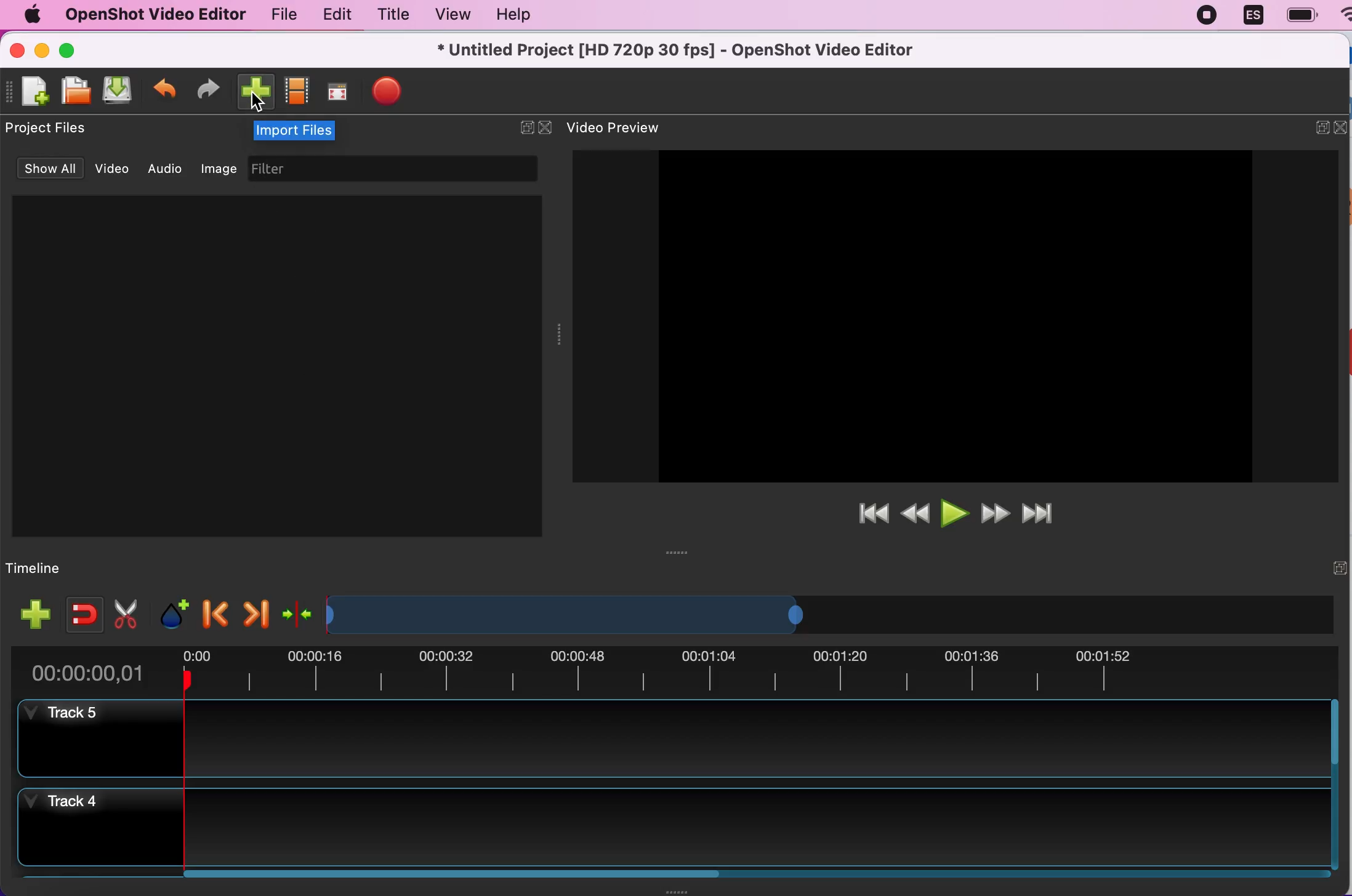  What do you see at coordinates (954, 511) in the screenshot?
I see `play` at bounding box center [954, 511].